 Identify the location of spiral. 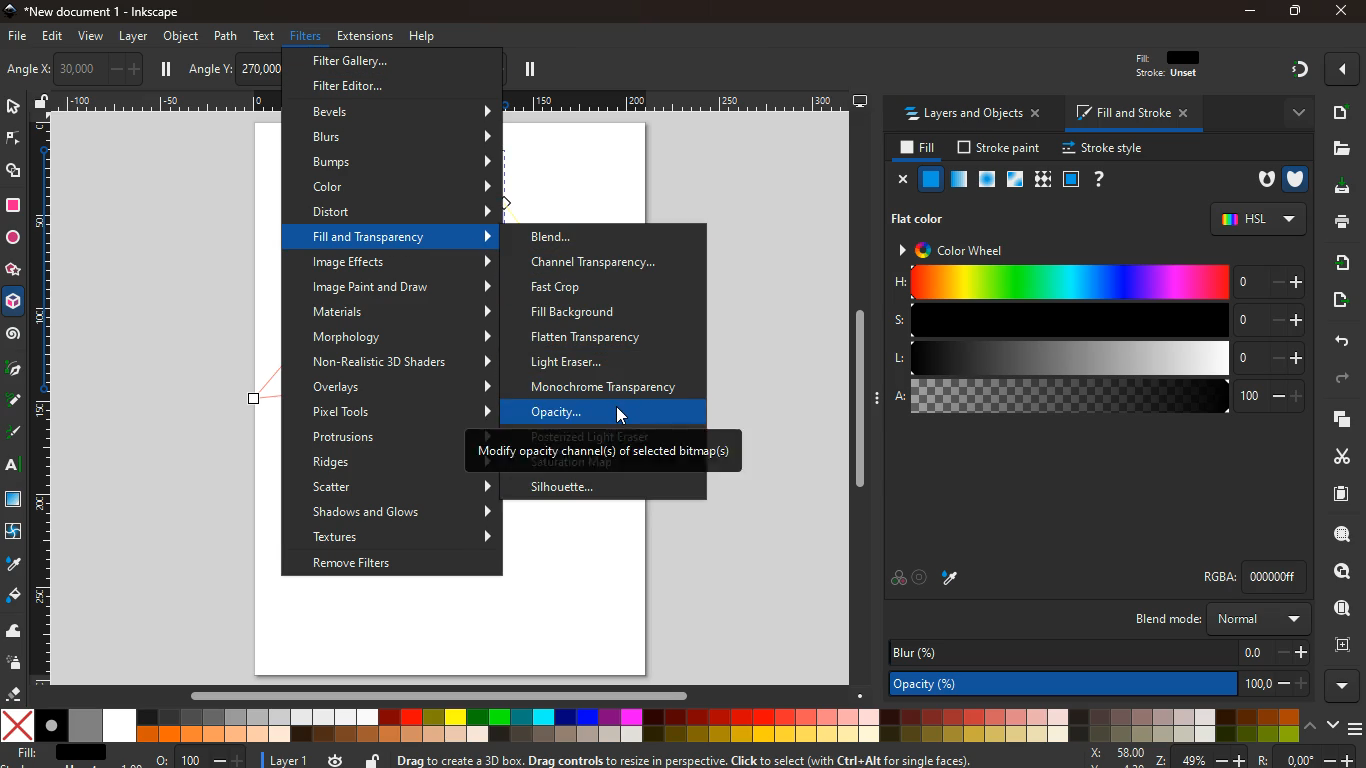
(14, 336).